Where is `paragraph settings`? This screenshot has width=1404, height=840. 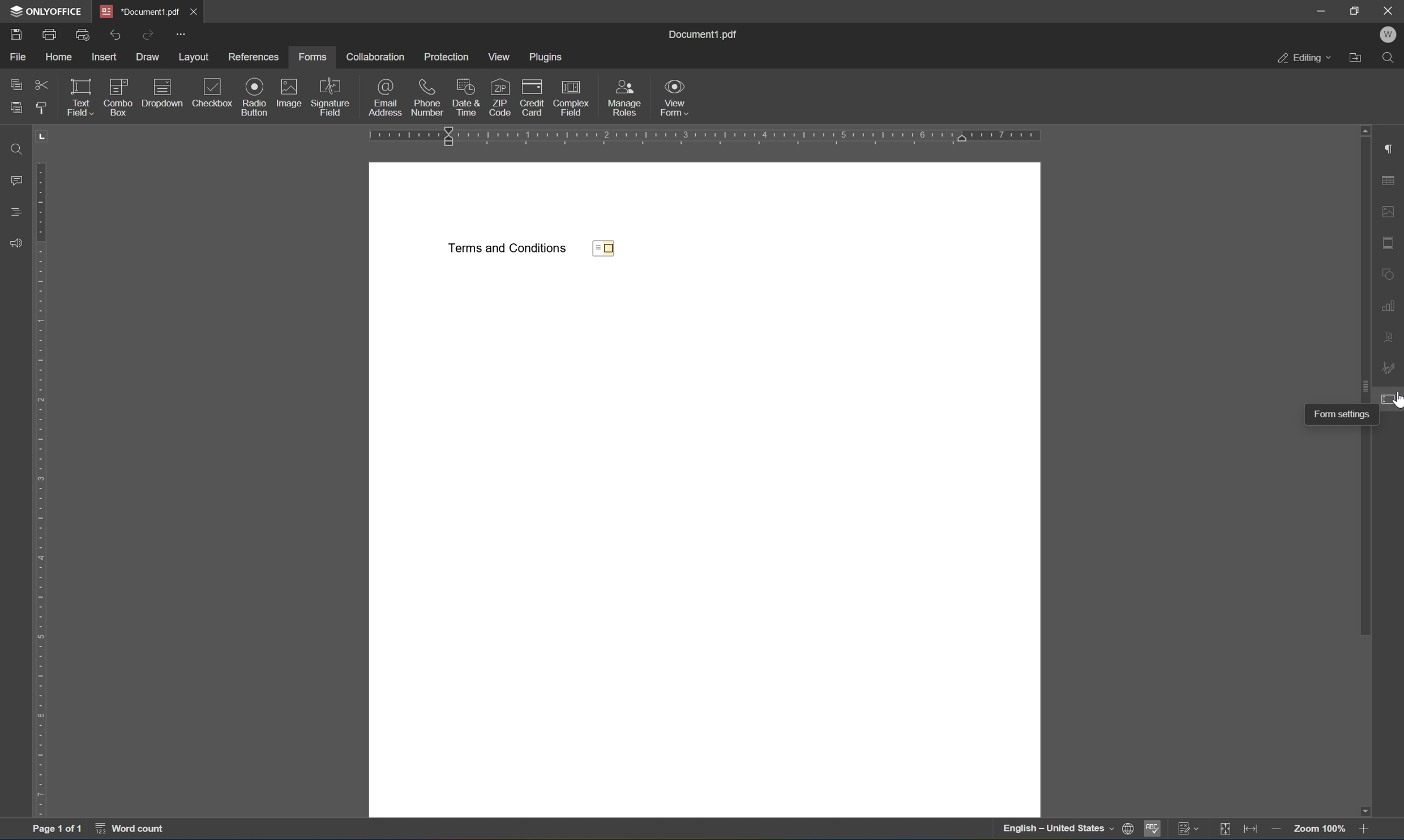 paragraph settings is located at coordinates (1392, 147).